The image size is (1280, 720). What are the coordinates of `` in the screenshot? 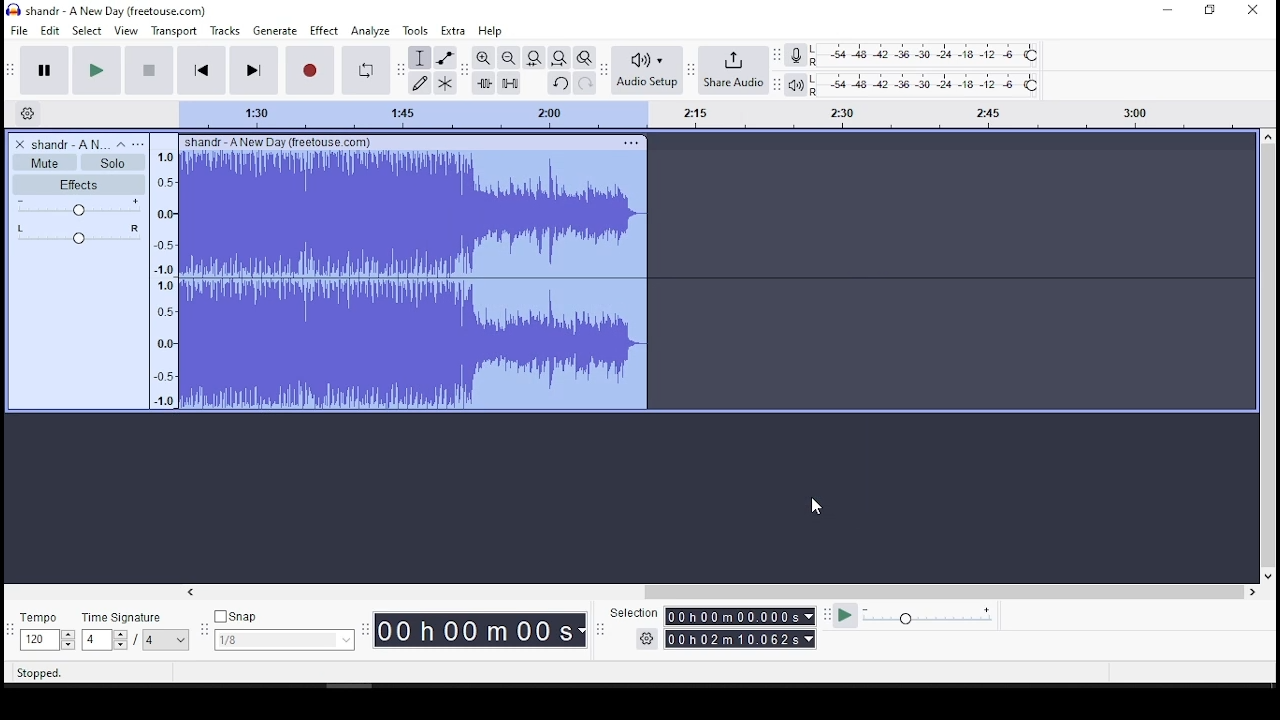 It's located at (44, 69).